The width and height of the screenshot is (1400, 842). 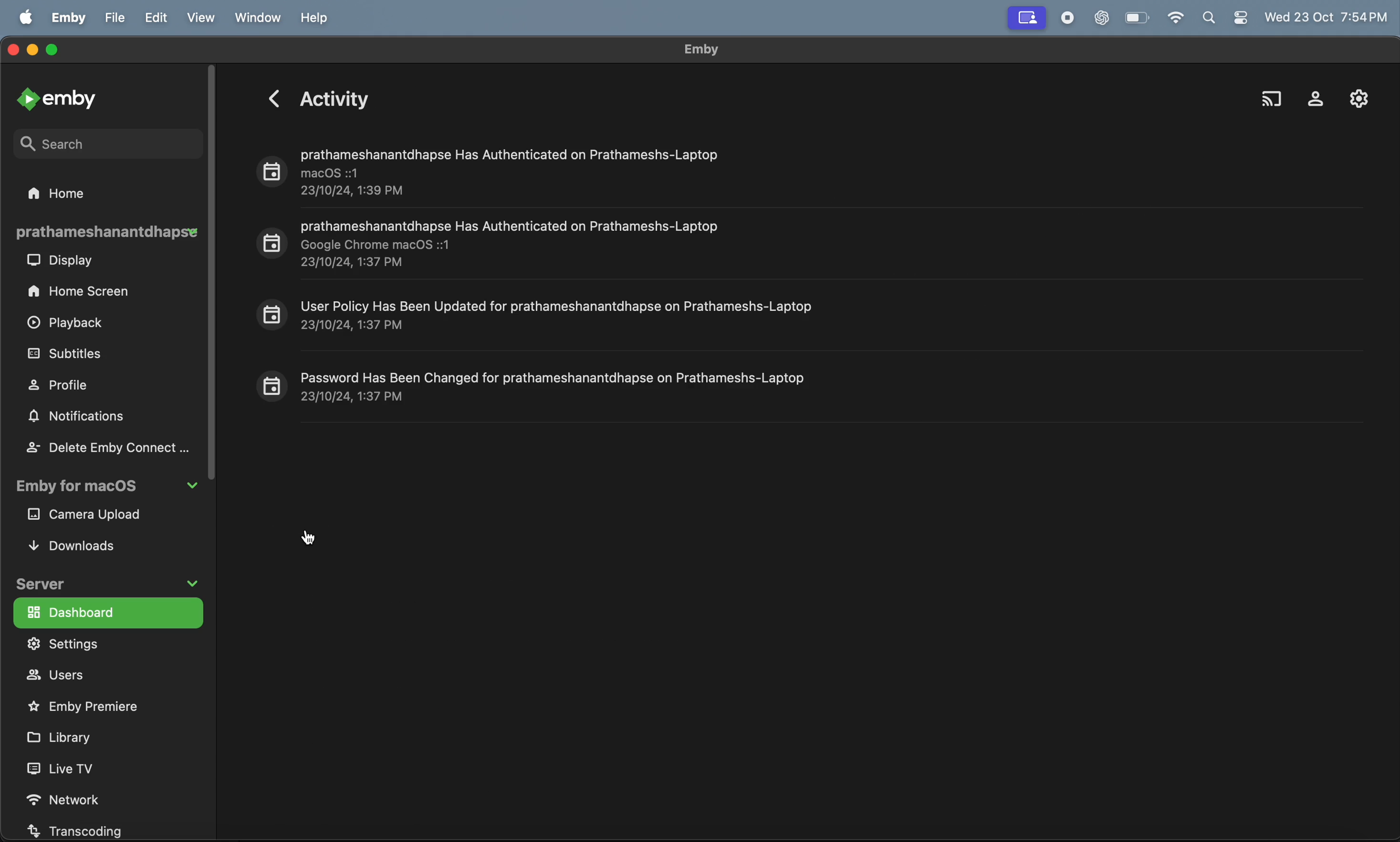 What do you see at coordinates (75, 736) in the screenshot?
I see `library` at bounding box center [75, 736].